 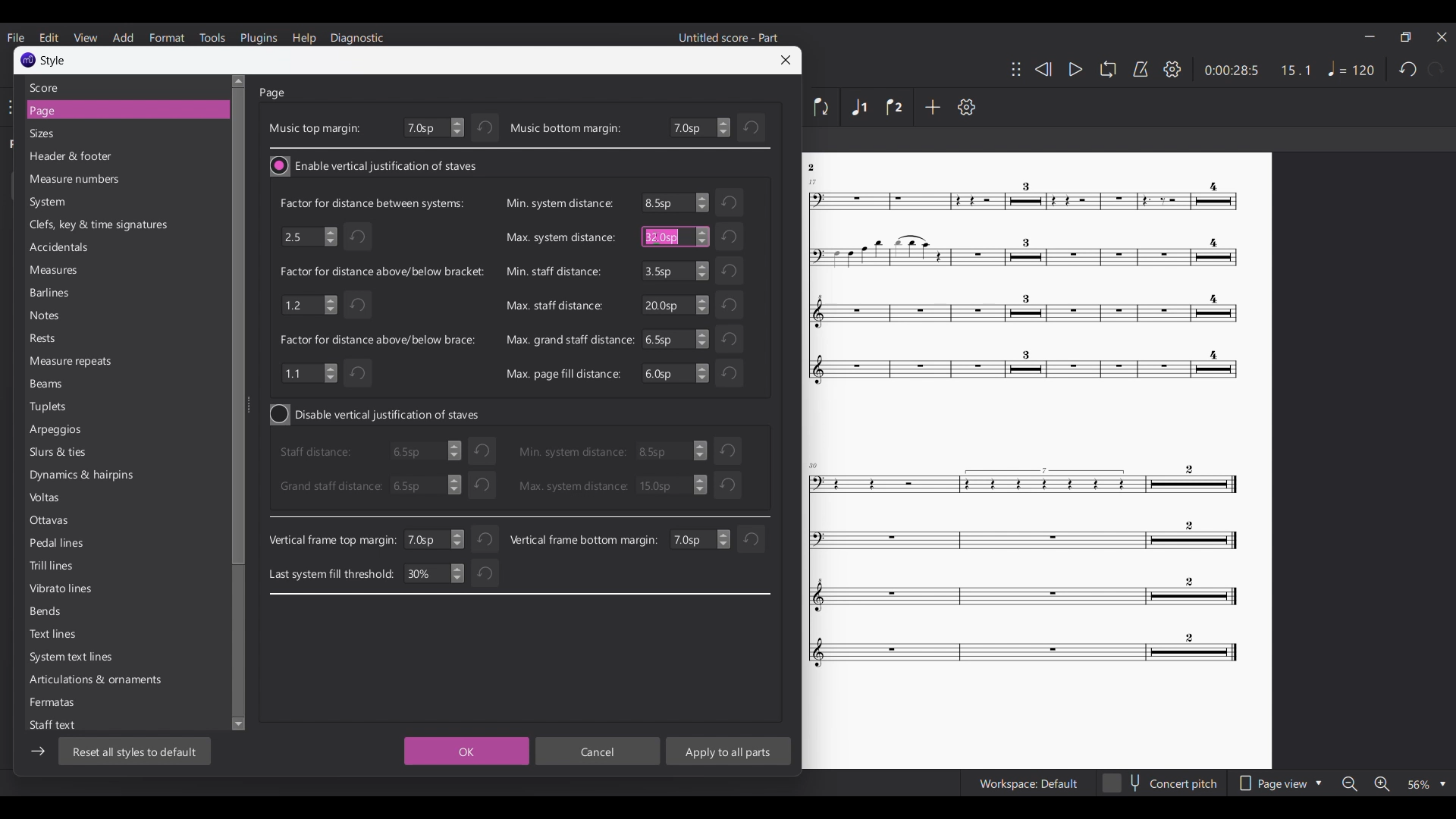 I want to click on Undo, so click(x=360, y=237).